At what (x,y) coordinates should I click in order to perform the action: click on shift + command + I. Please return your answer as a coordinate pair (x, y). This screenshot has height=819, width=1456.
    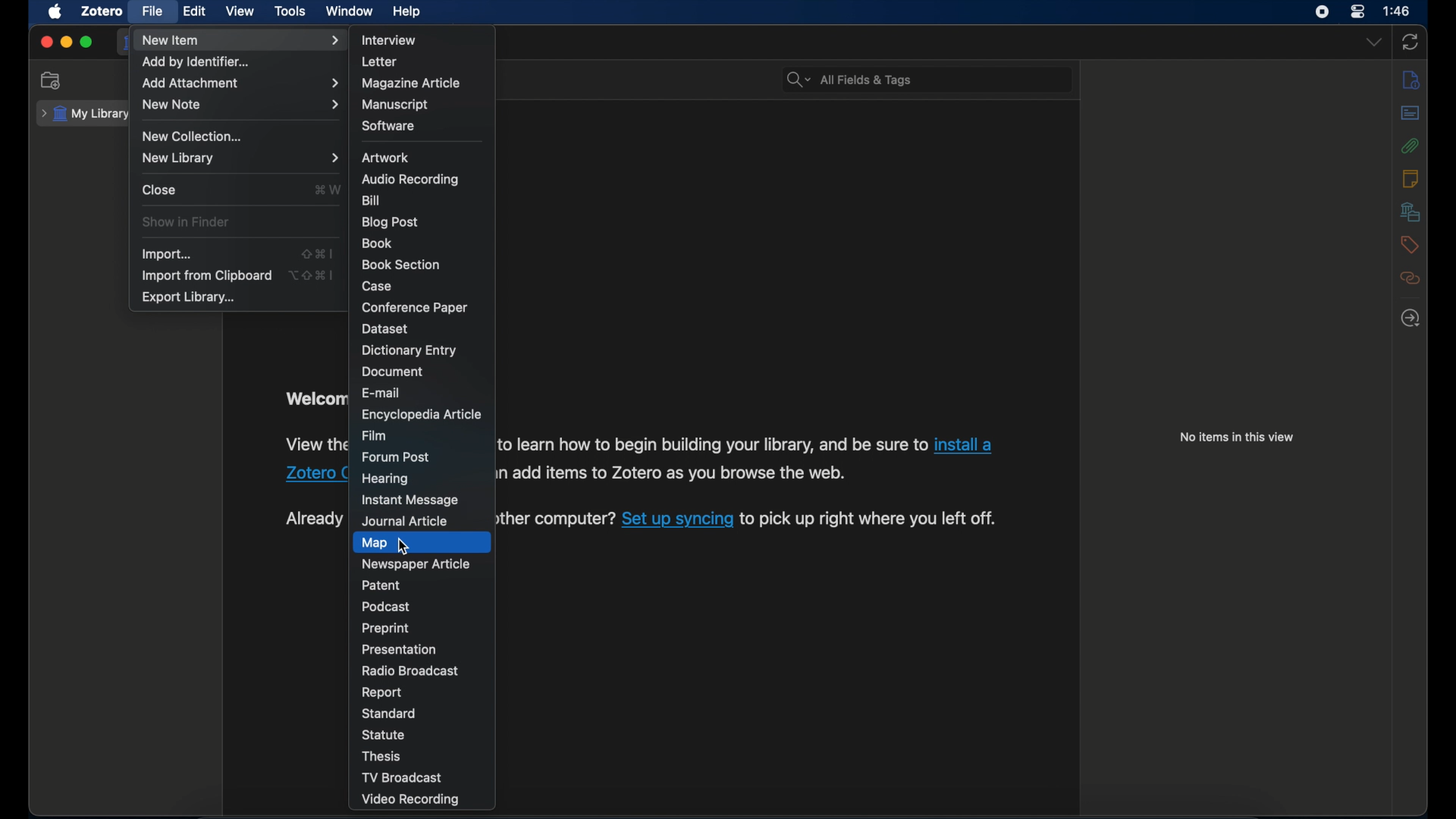
    Looking at the image, I should click on (315, 253).